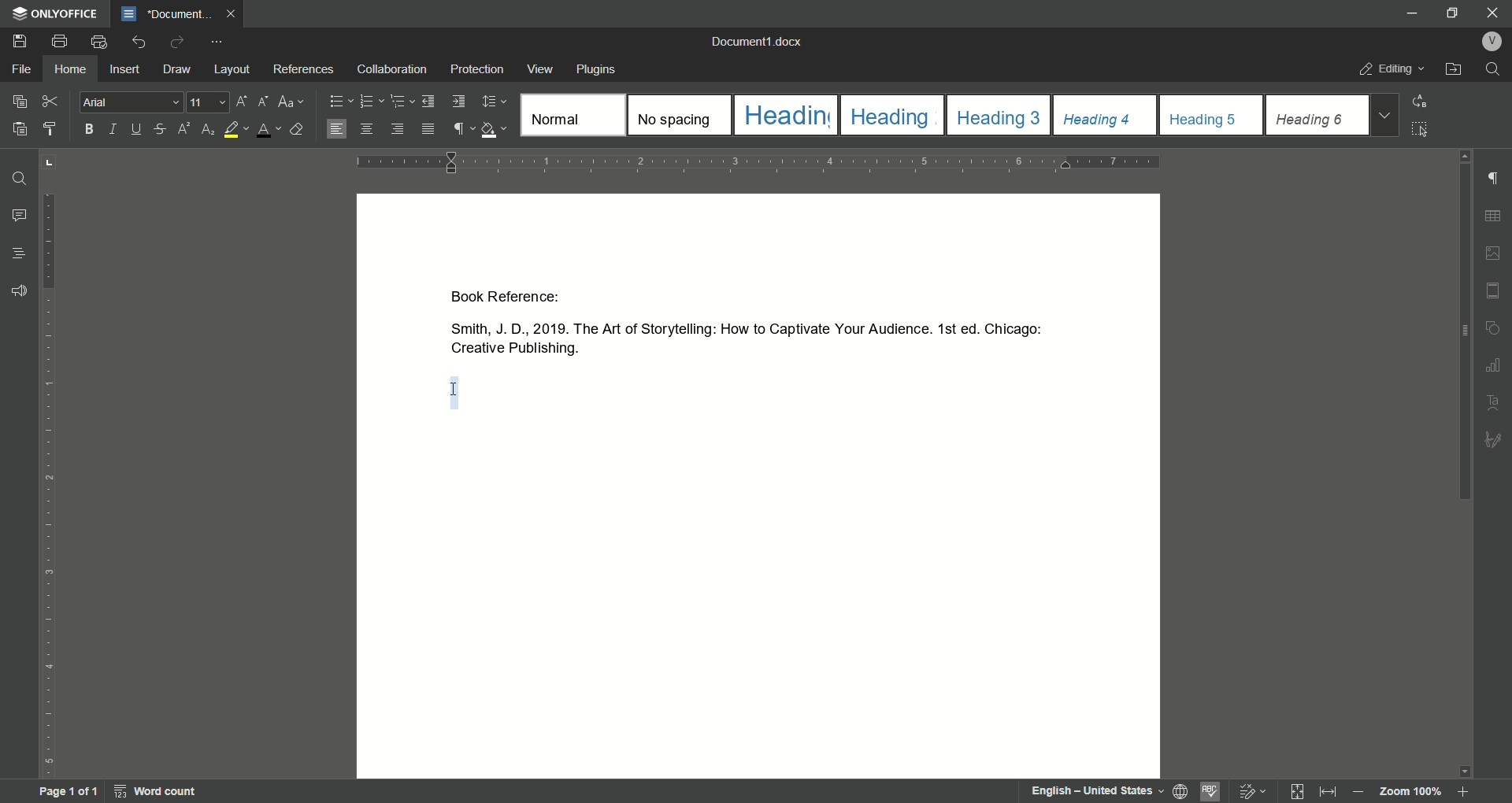  I want to click on username logo, so click(1492, 41).